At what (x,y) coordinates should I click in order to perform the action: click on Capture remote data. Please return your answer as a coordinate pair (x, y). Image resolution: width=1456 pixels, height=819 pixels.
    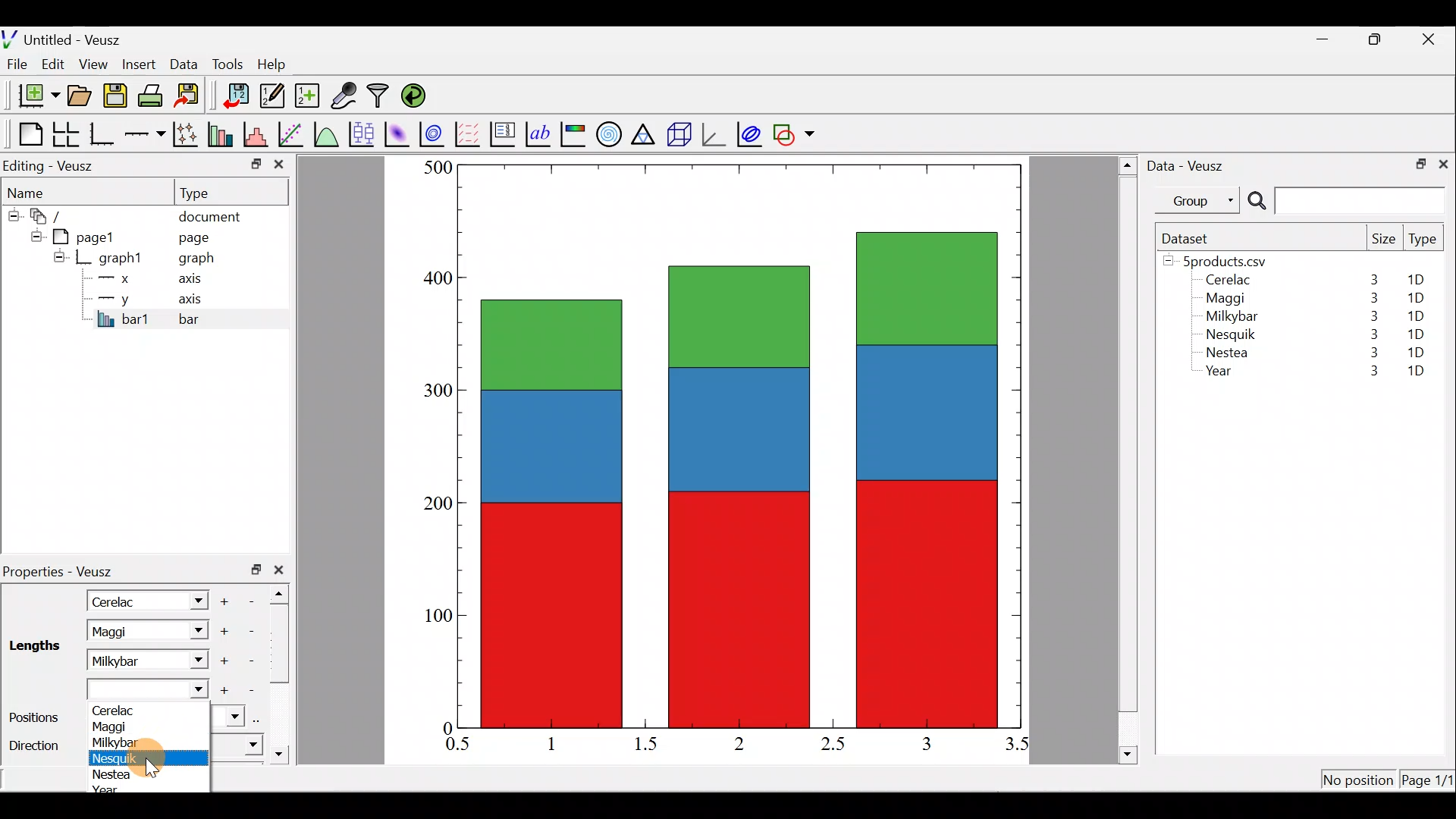
    Looking at the image, I should click on (345, 96).